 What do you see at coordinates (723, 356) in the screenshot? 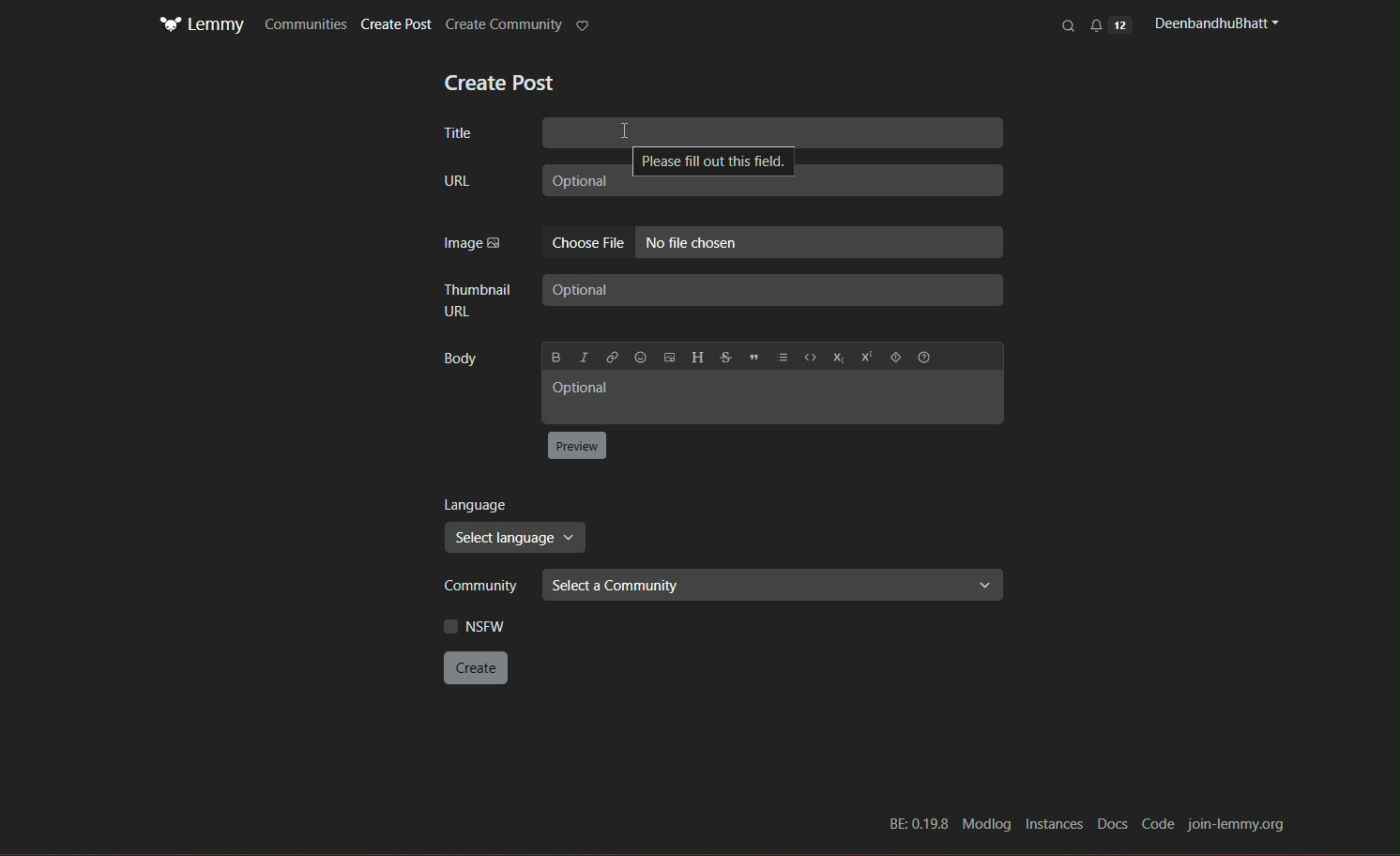
I see `Strikethrough` at bounding box center [723, 356].